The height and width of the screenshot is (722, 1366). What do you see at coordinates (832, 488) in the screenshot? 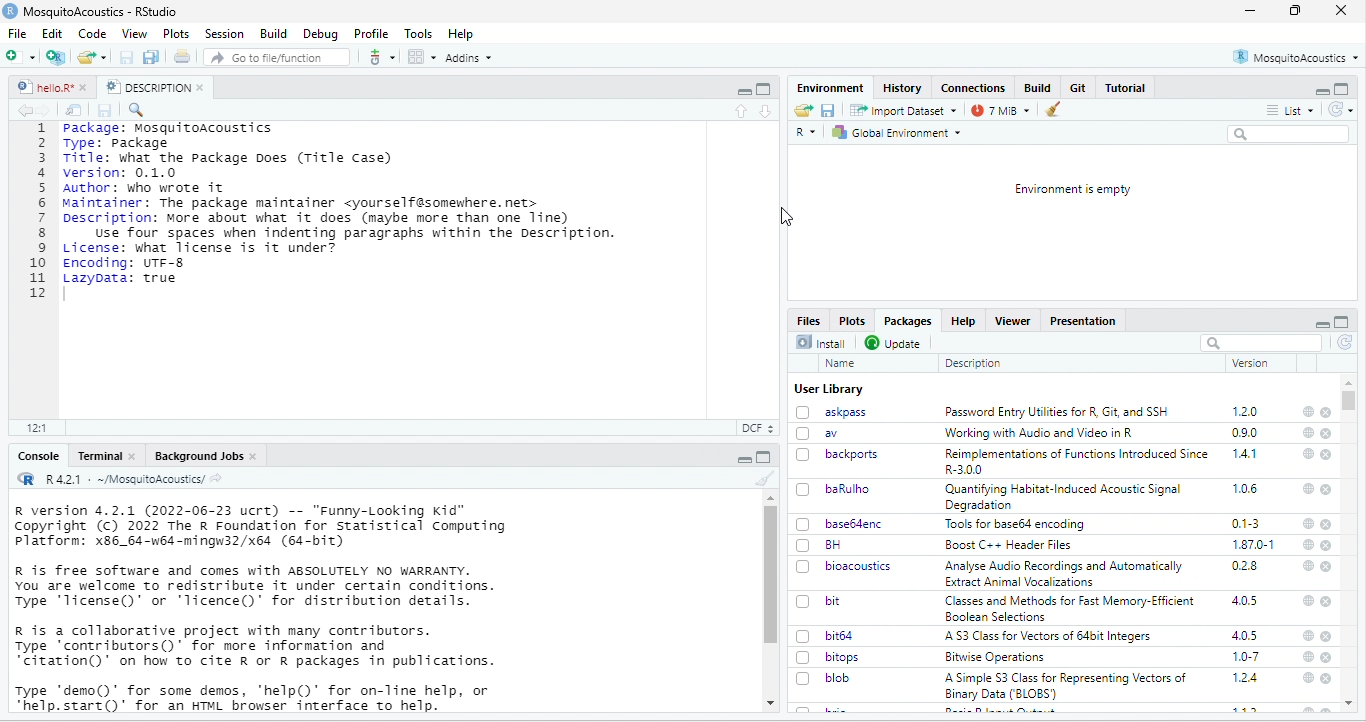
I see `baRulho` at bounding box center [832, 488].